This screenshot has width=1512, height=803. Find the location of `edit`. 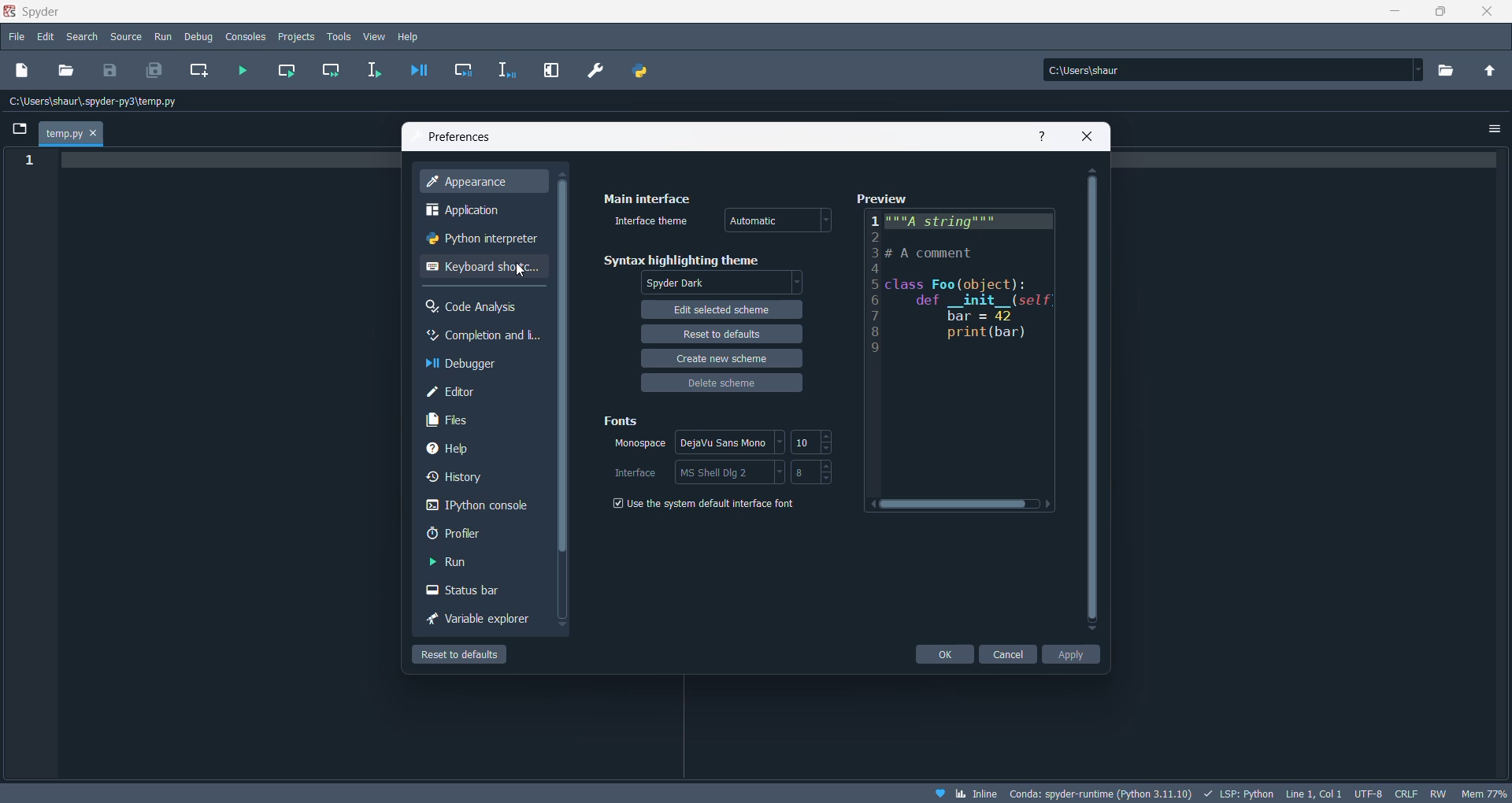

edit is located at coordinates (46, 37).